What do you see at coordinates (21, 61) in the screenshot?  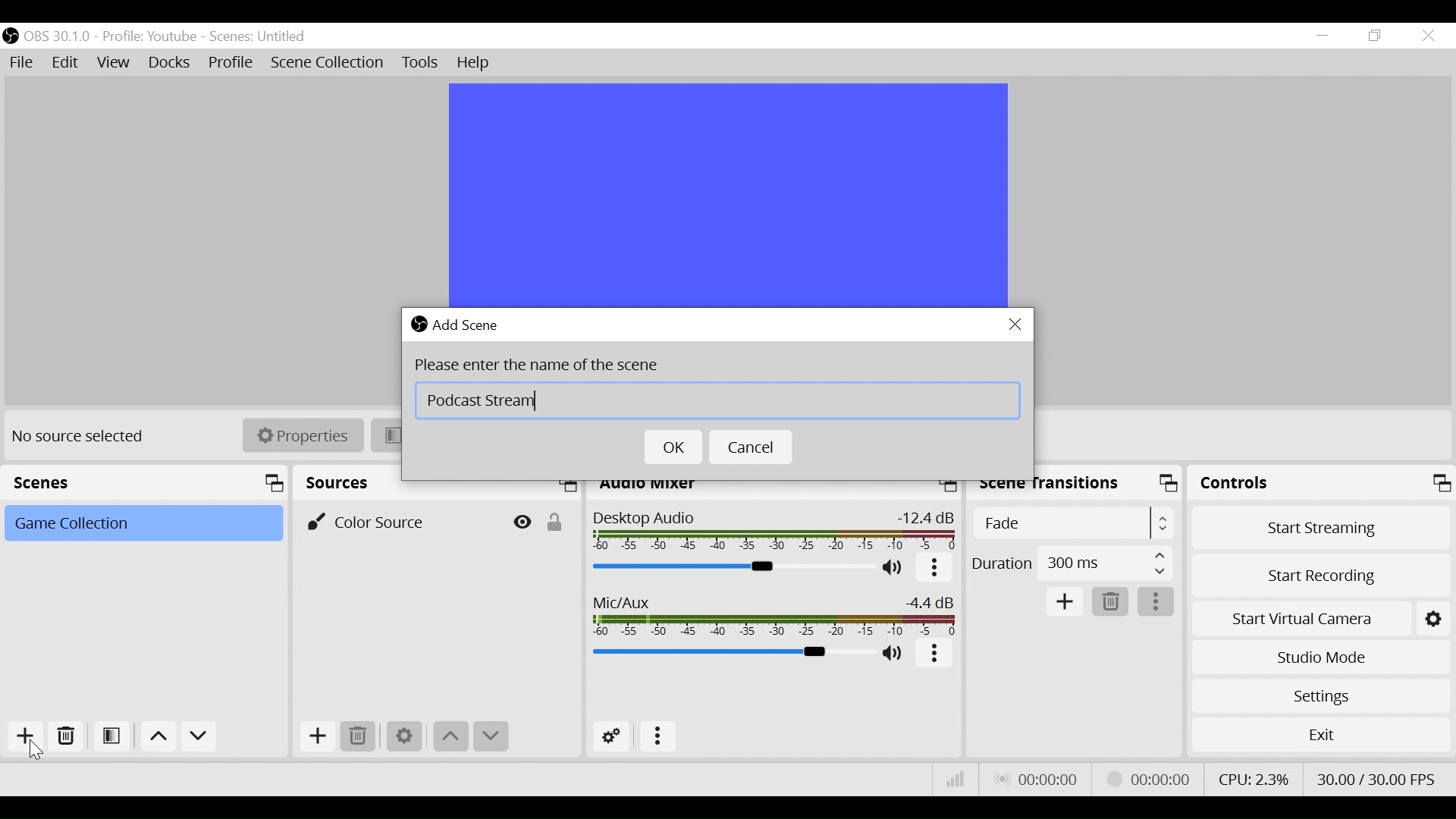 I see `File` at bounding box center [21, 61].